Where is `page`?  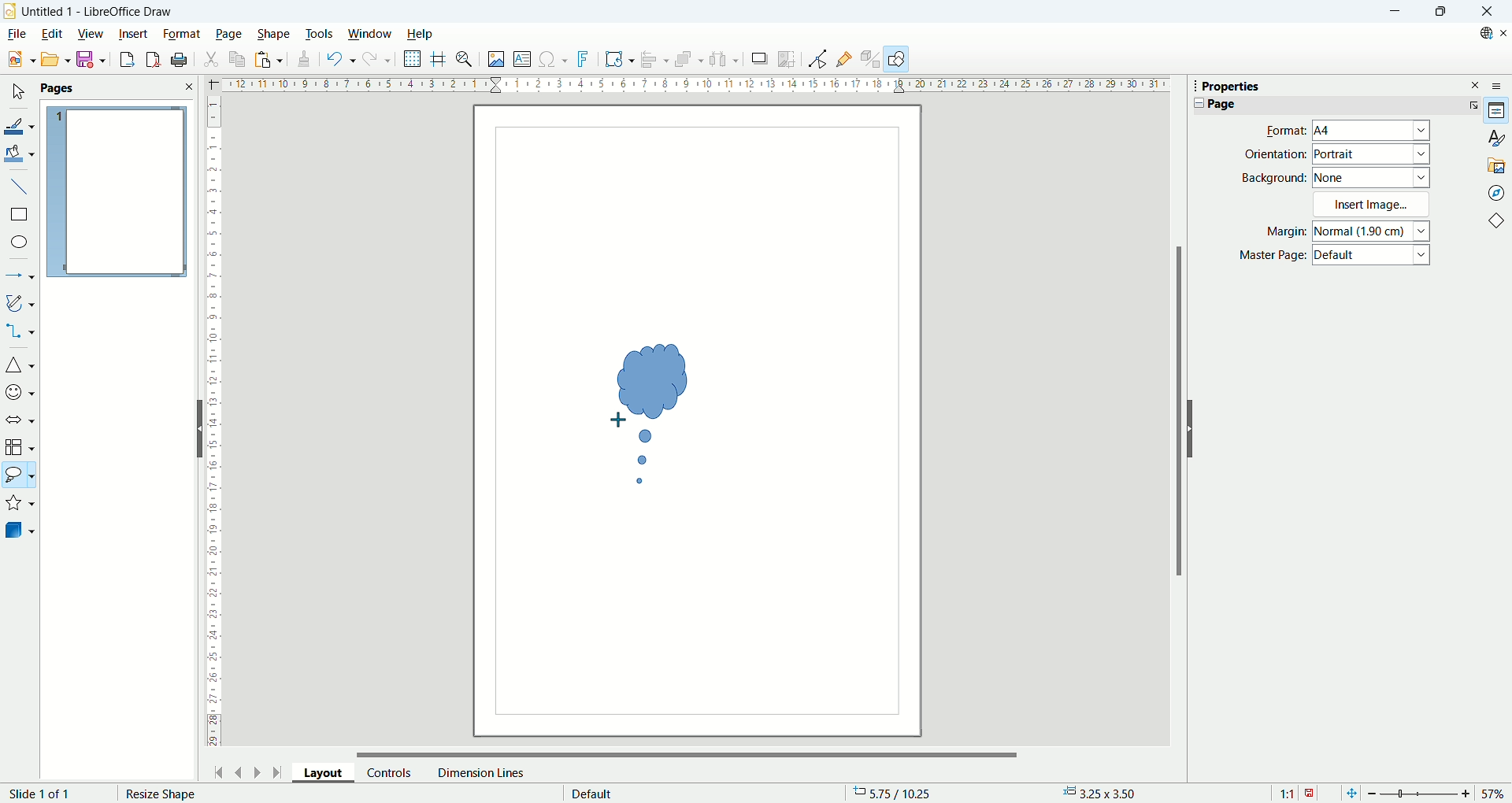 page is located at coordinates (117, 193).